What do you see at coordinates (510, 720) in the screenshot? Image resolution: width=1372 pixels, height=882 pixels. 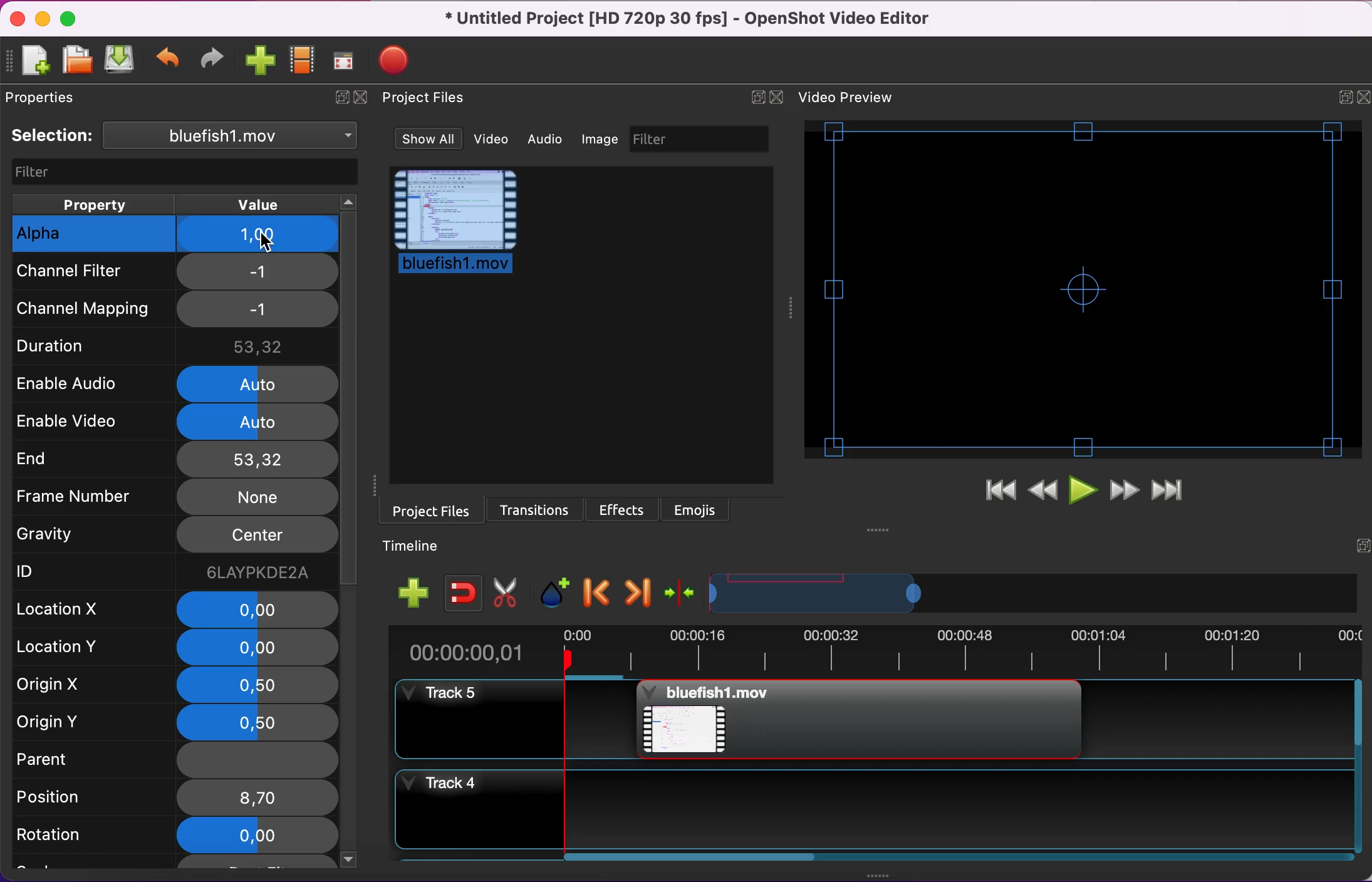 I see `track 5` at bounding box center [510, 720].